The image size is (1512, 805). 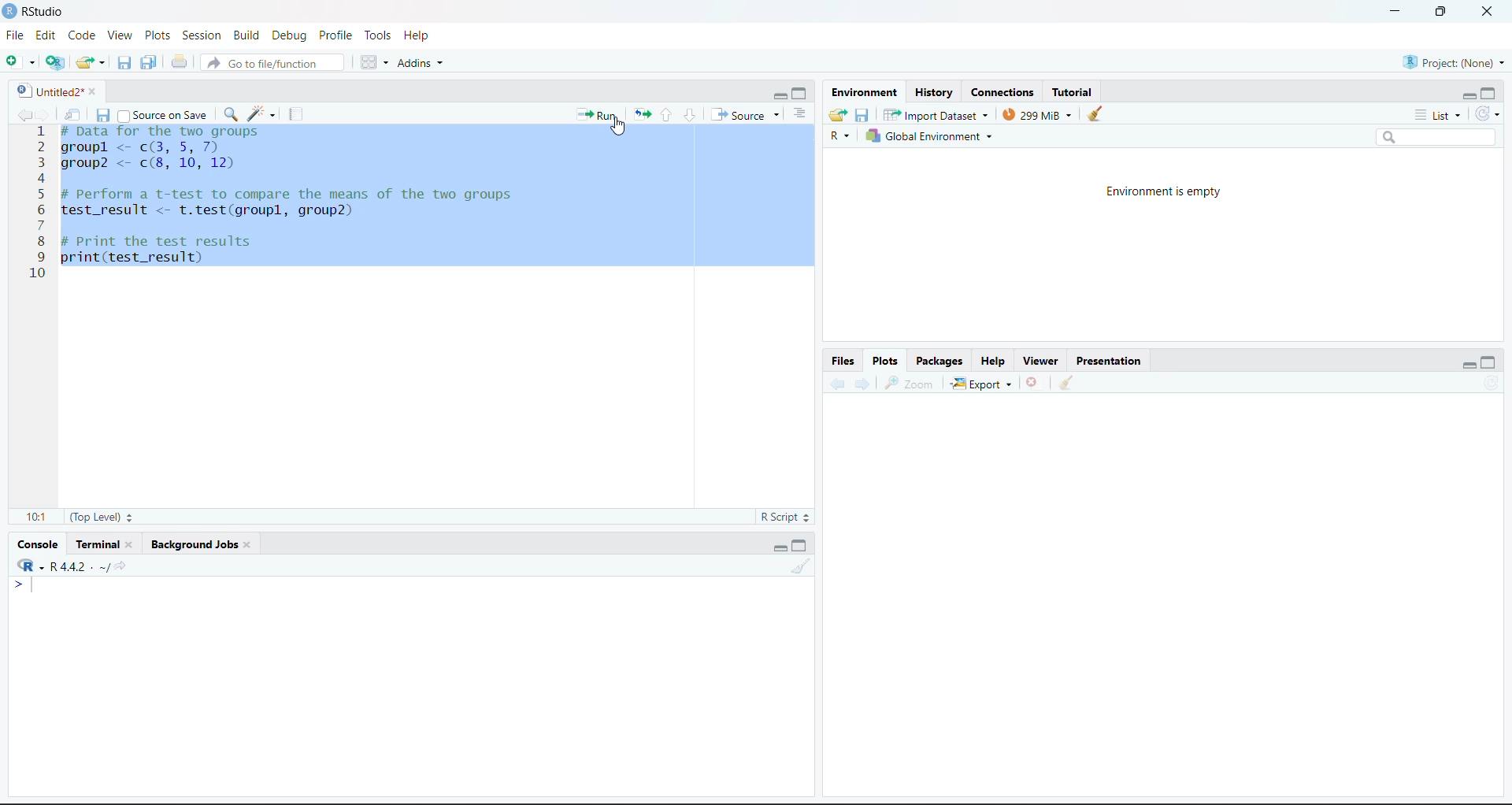 I want to click on go back to the previous source location, so click(x=25, y=114).